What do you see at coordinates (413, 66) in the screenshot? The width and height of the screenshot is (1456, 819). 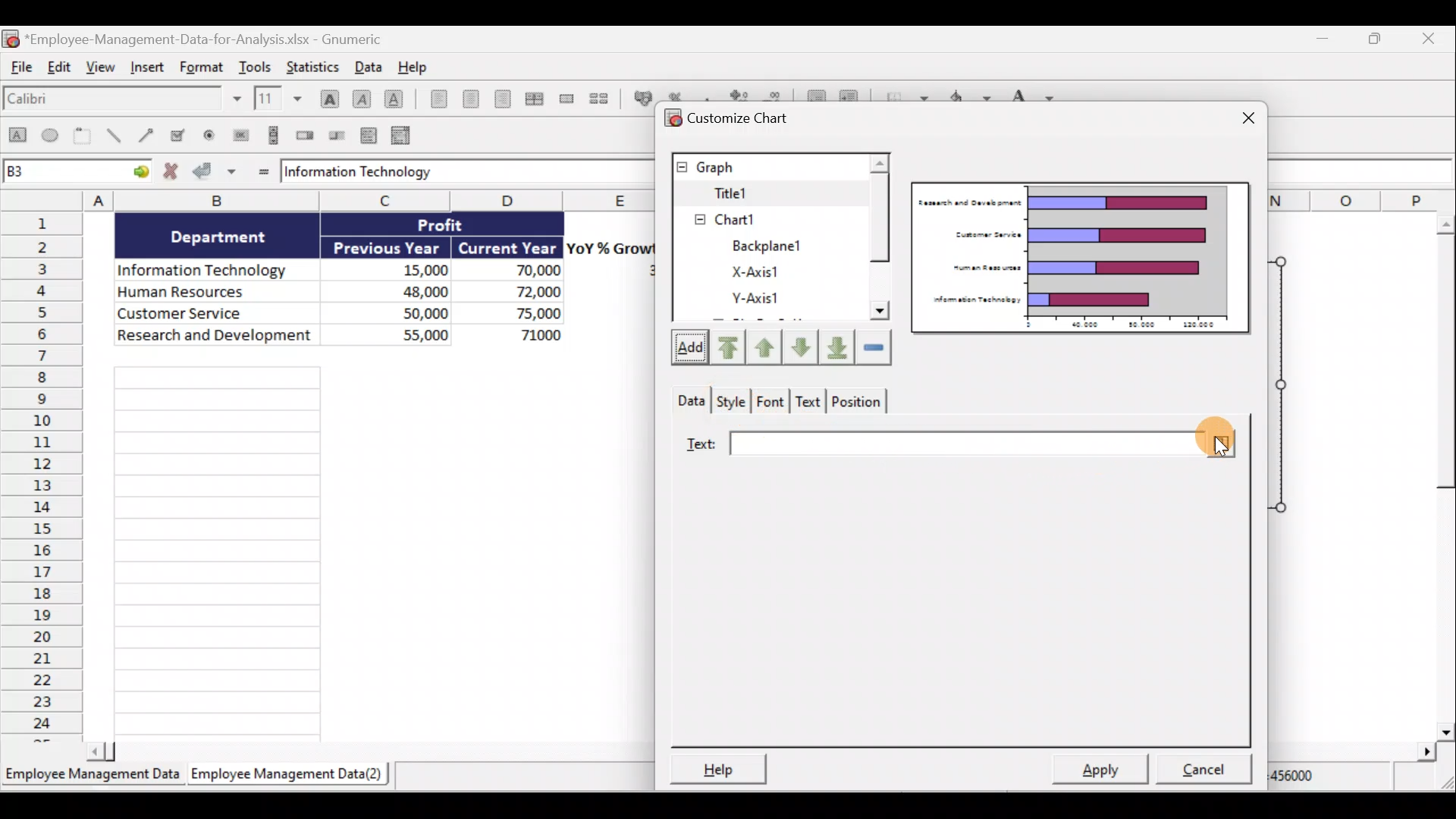 I see `Help` at bounding box center [413, 66].